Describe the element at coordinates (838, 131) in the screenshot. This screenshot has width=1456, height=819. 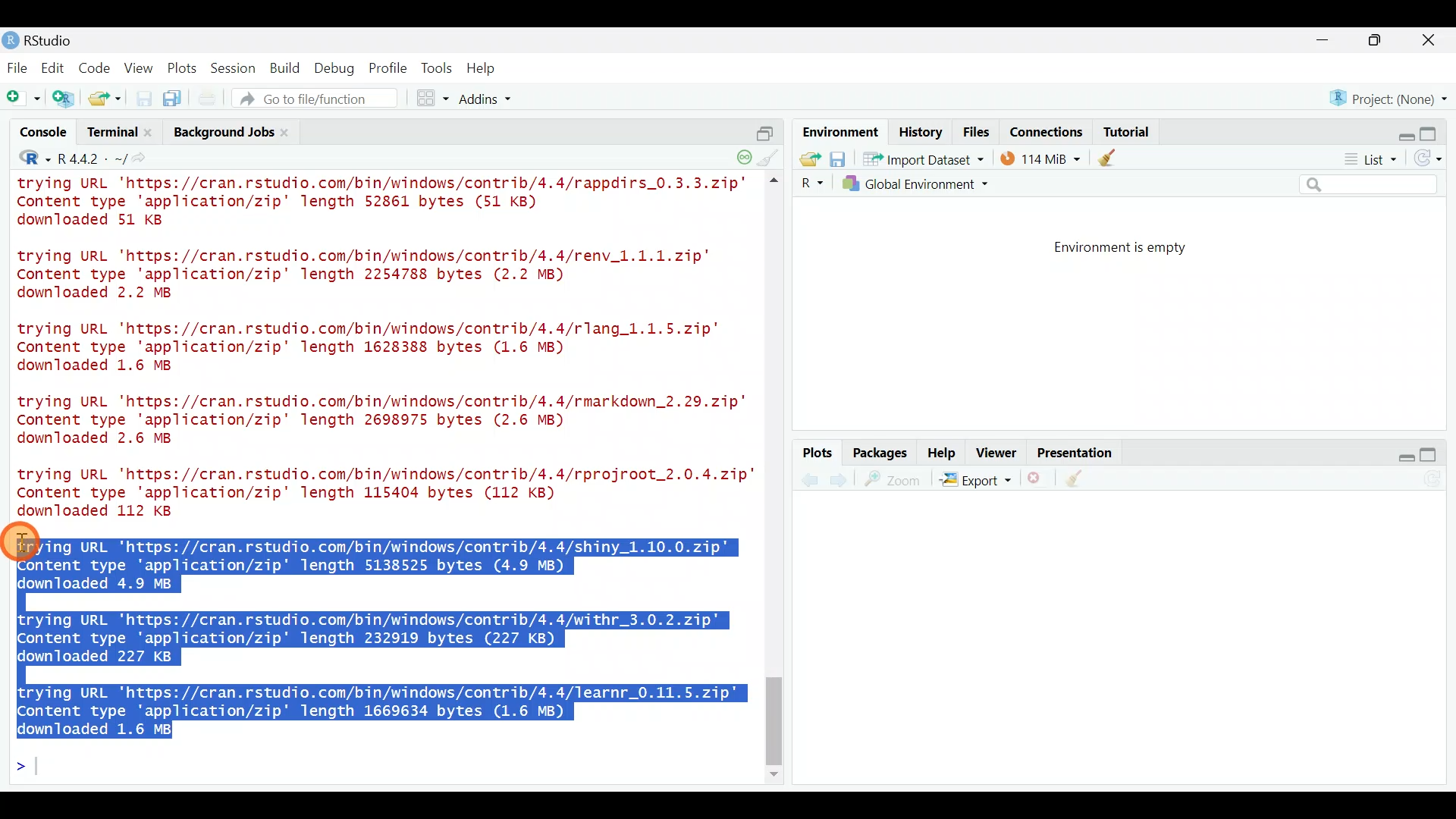
I see `Environment` at that location.